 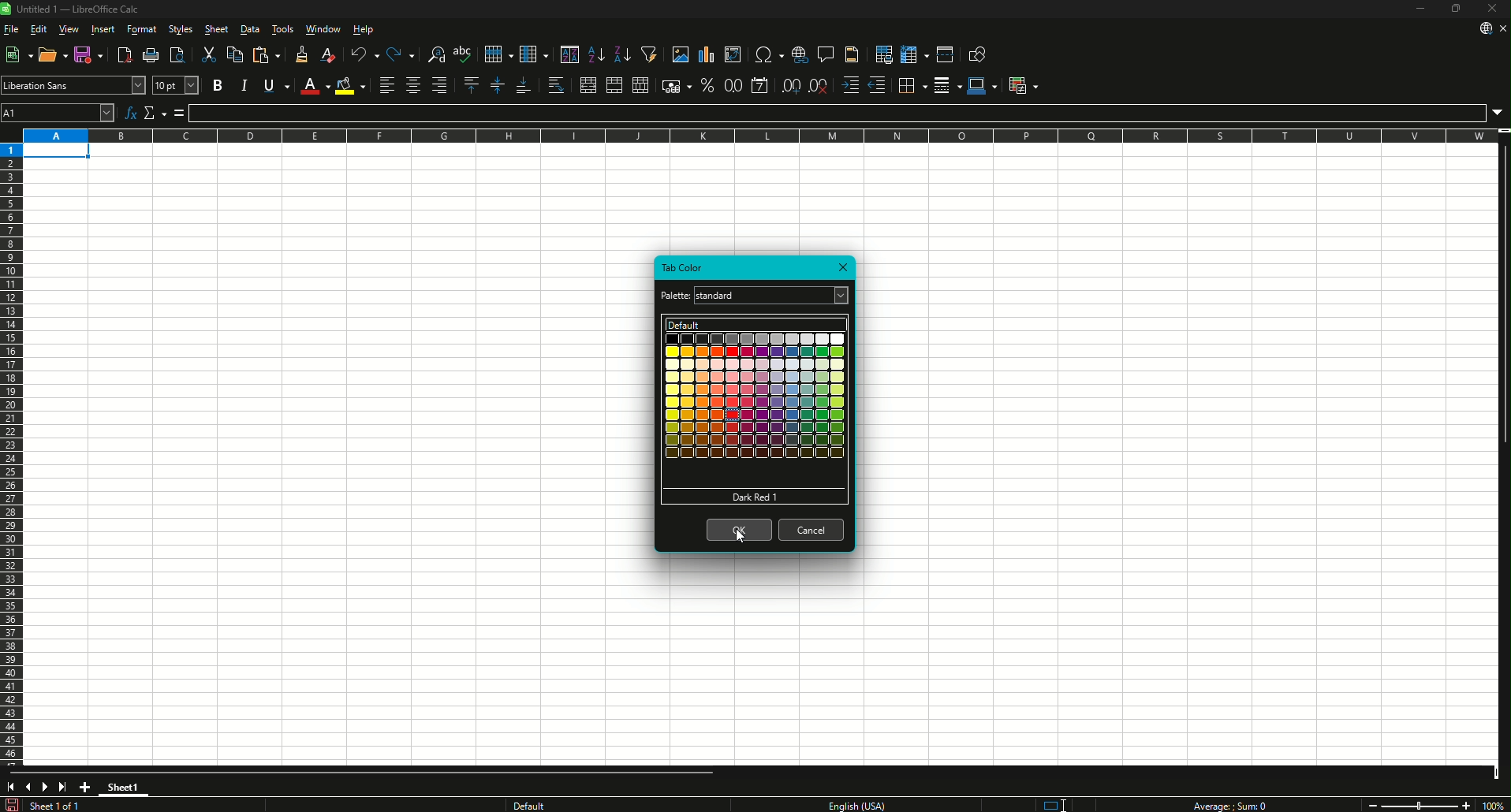 I want to click on Insert Special Characters, so click(x=768, y=54).